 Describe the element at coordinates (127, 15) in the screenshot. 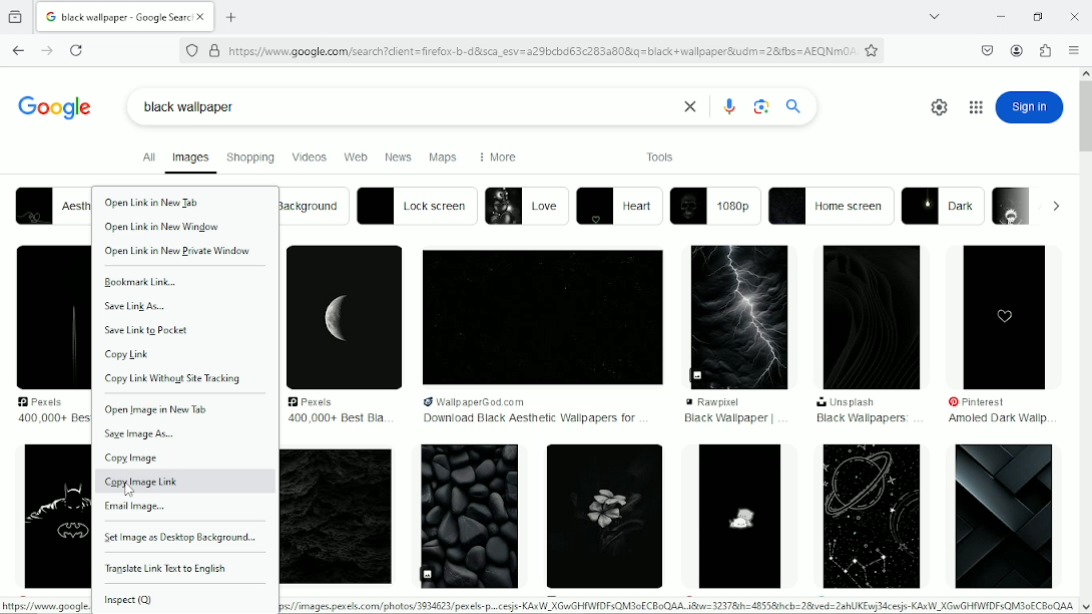

I see `black wallpaper-google search` at that location.